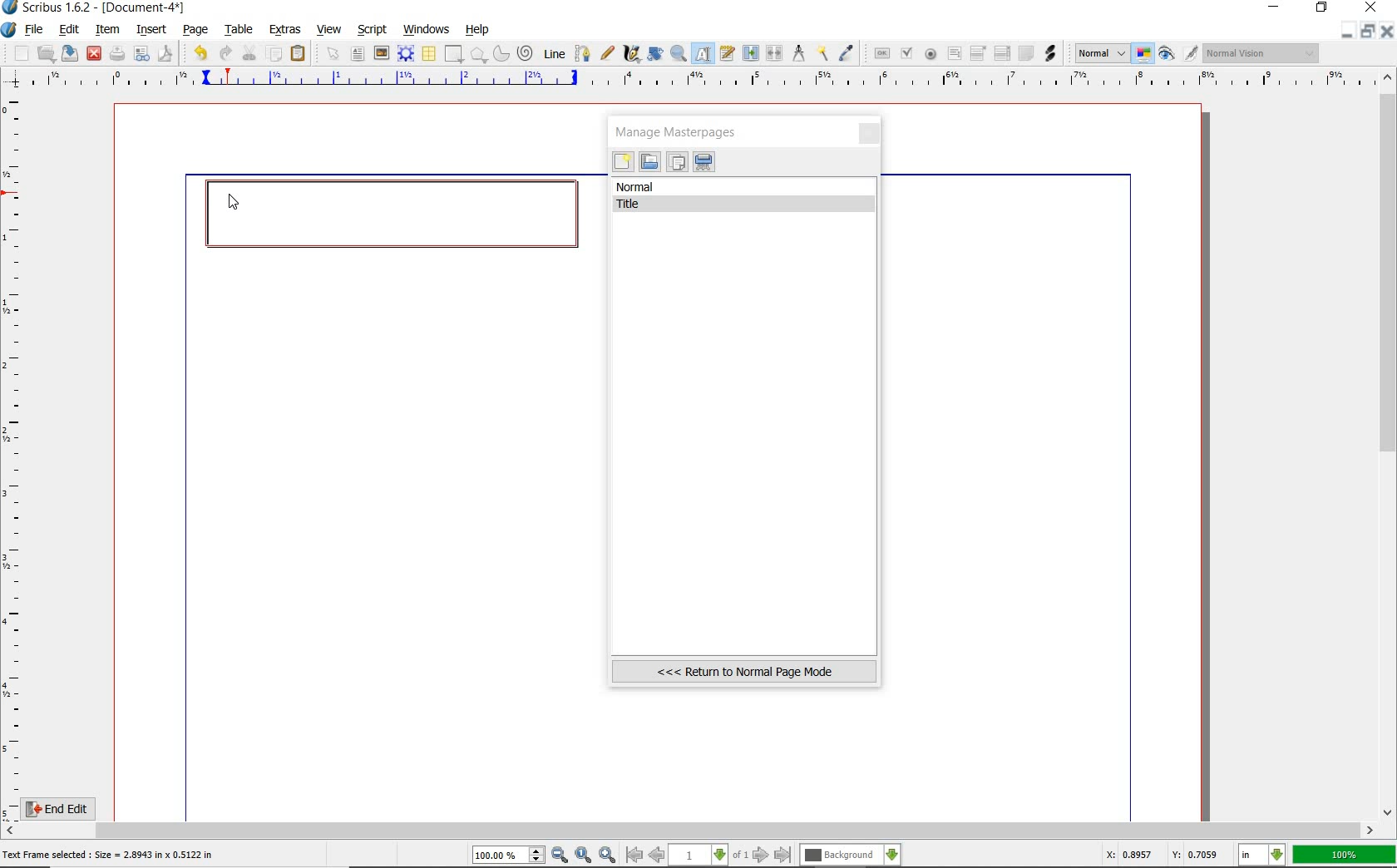  Describe the element at coordinates (623, 164) in the screenshot. I see `new` at that location.